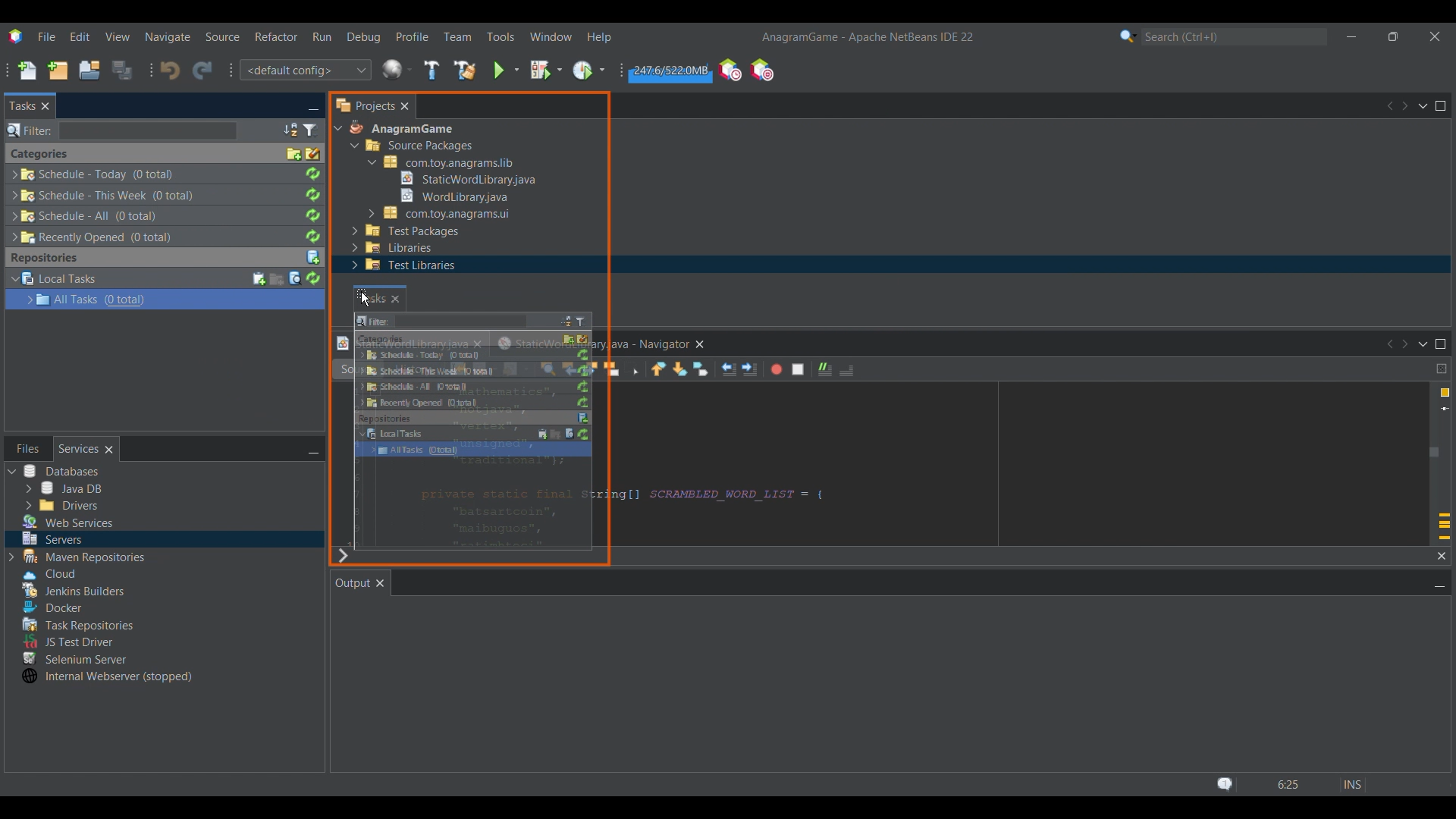  I want to click on Current selection highlighted, so click(235, 299).